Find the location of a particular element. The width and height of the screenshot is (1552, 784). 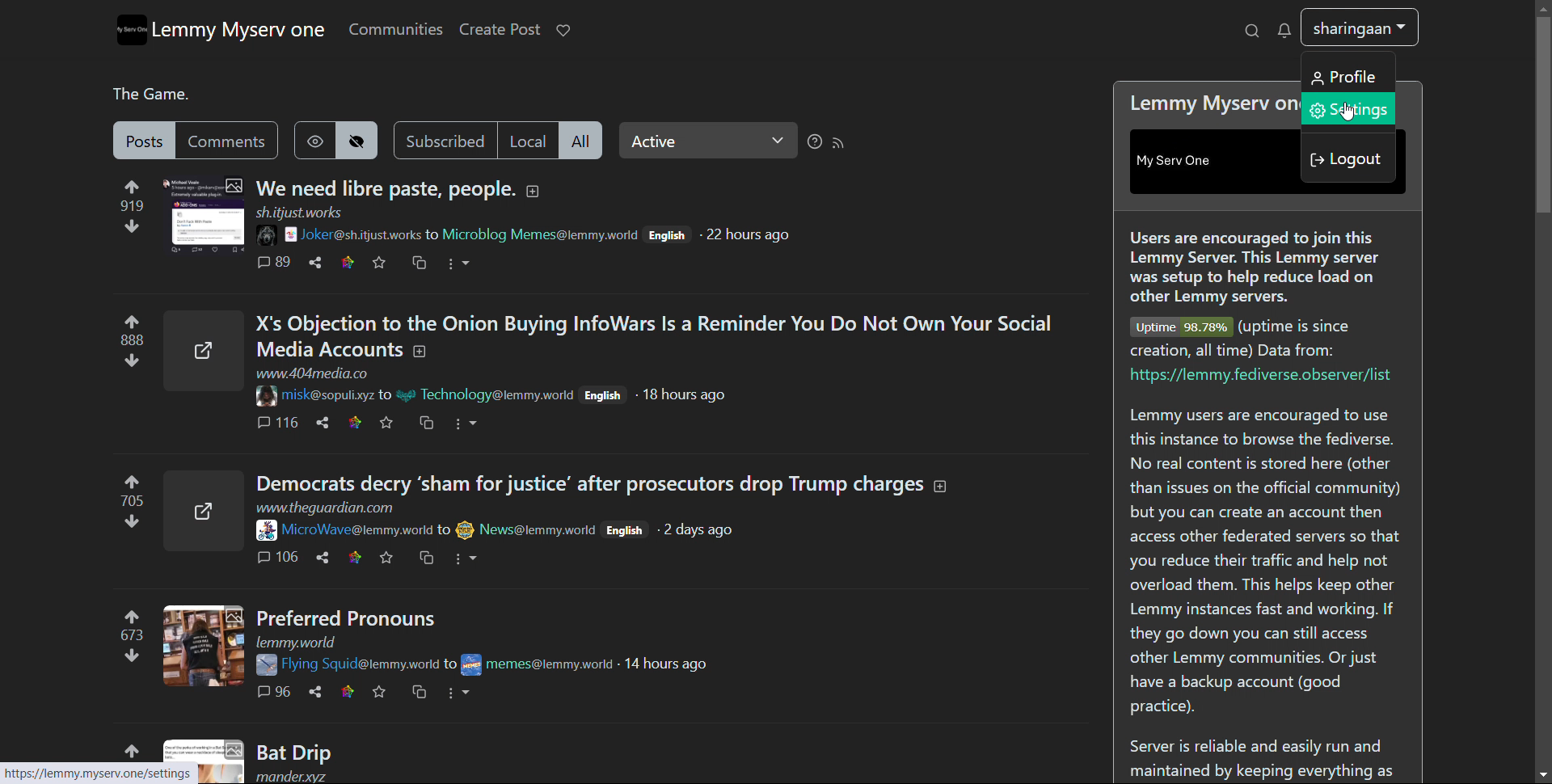

upvotes is located at coordinates (135, 481).